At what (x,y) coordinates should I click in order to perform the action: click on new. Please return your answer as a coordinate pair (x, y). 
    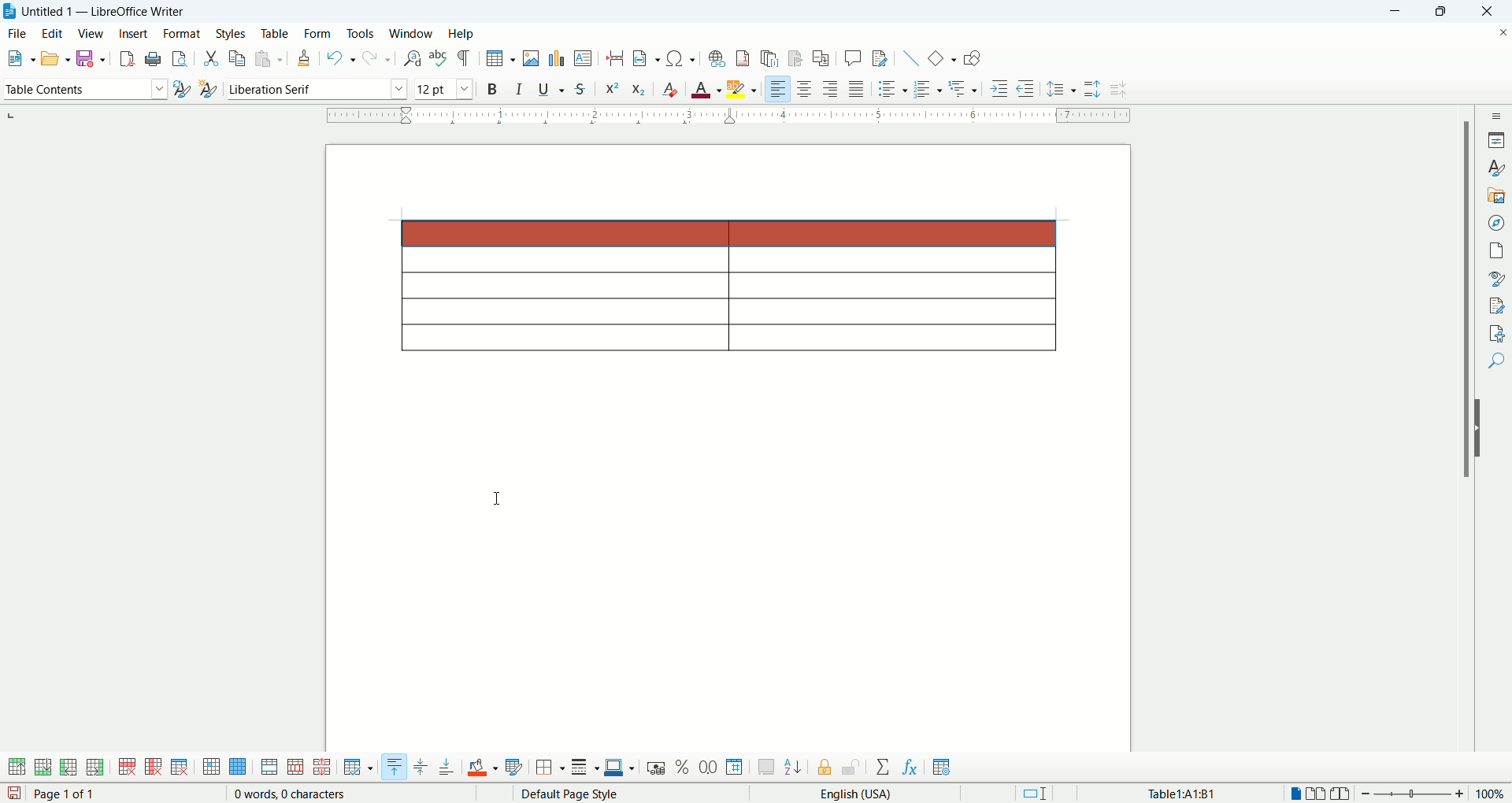
    Looking at the image, I should click on (19, 58).